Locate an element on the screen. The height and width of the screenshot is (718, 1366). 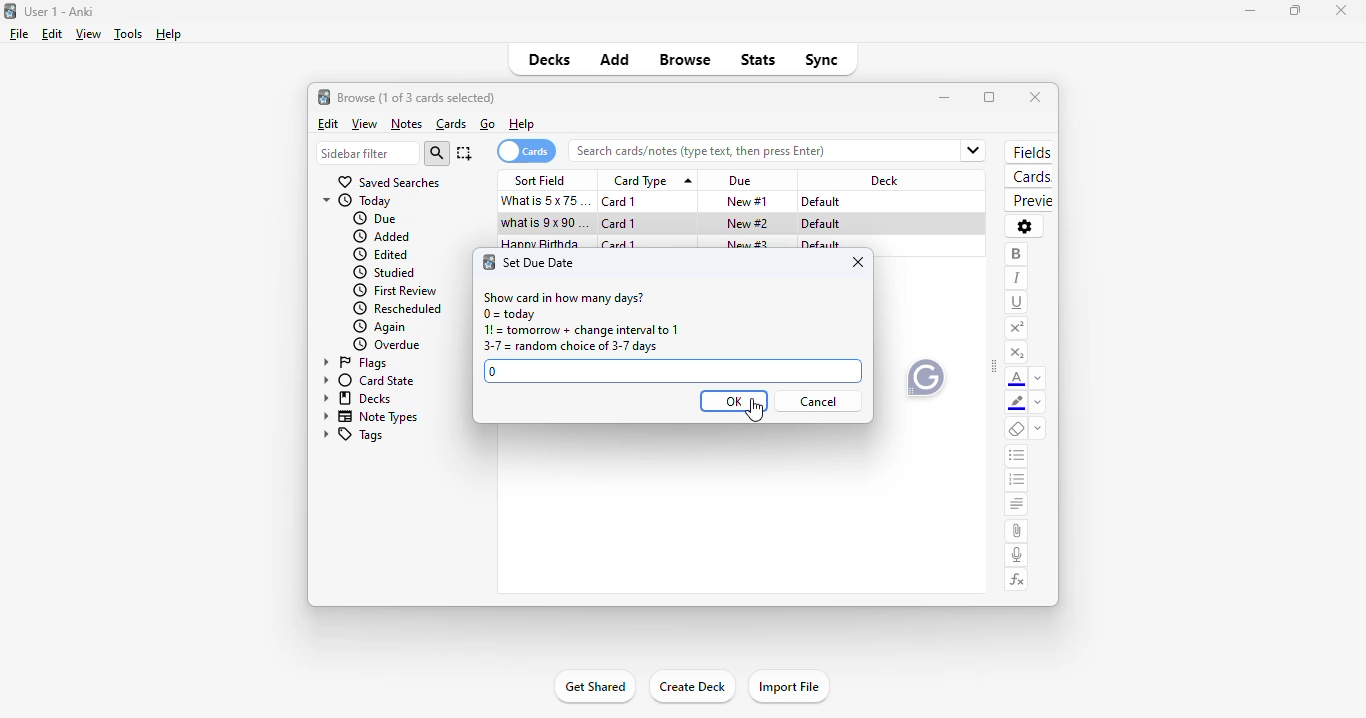
tools is located at coordinates (128, 34).